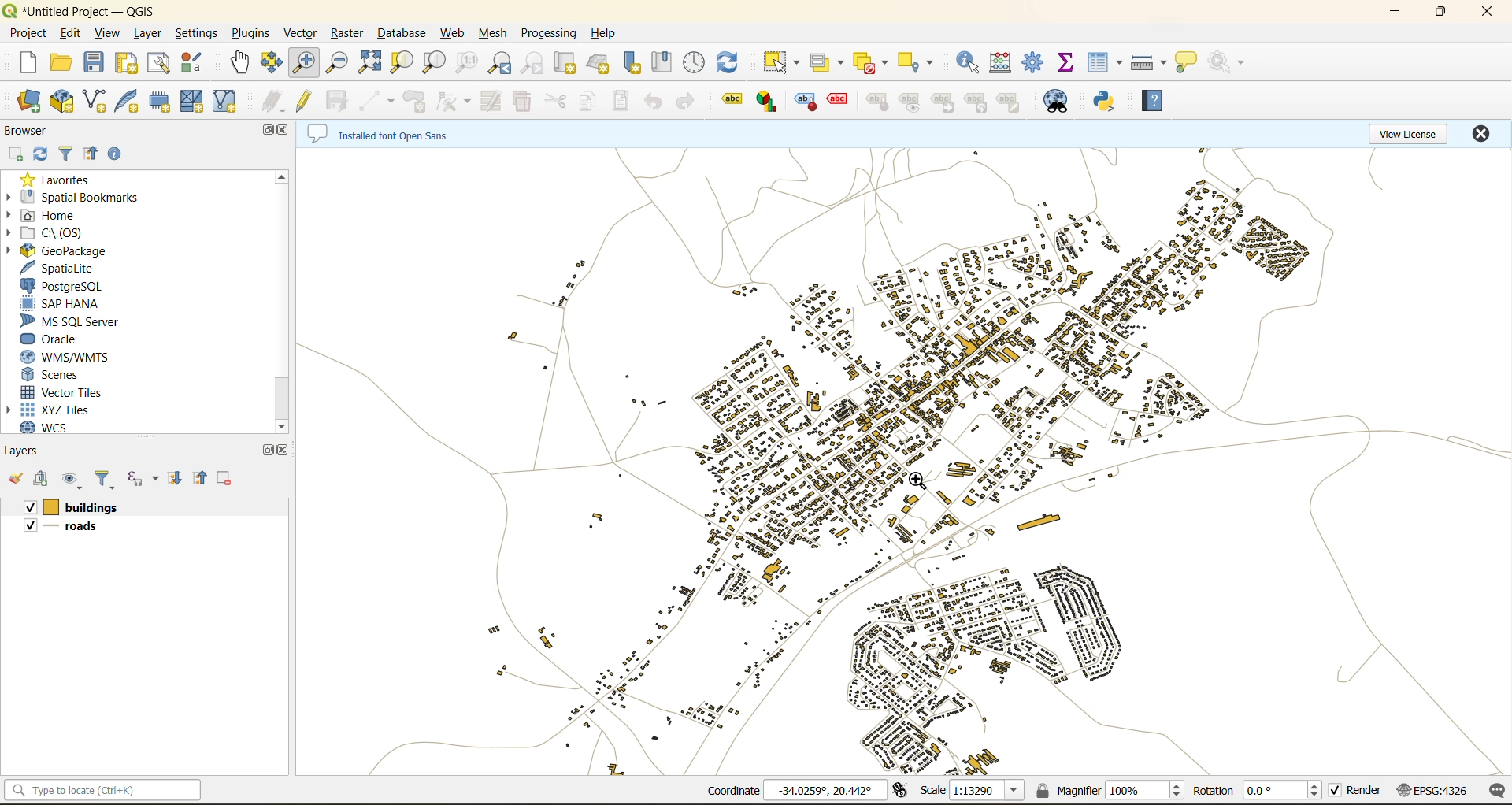 Image resolution: width=1512 pixels, height=805 pixels. Describe the element at coordinates (1036, 63) in the screenshot. I see `toolbox` at that location.